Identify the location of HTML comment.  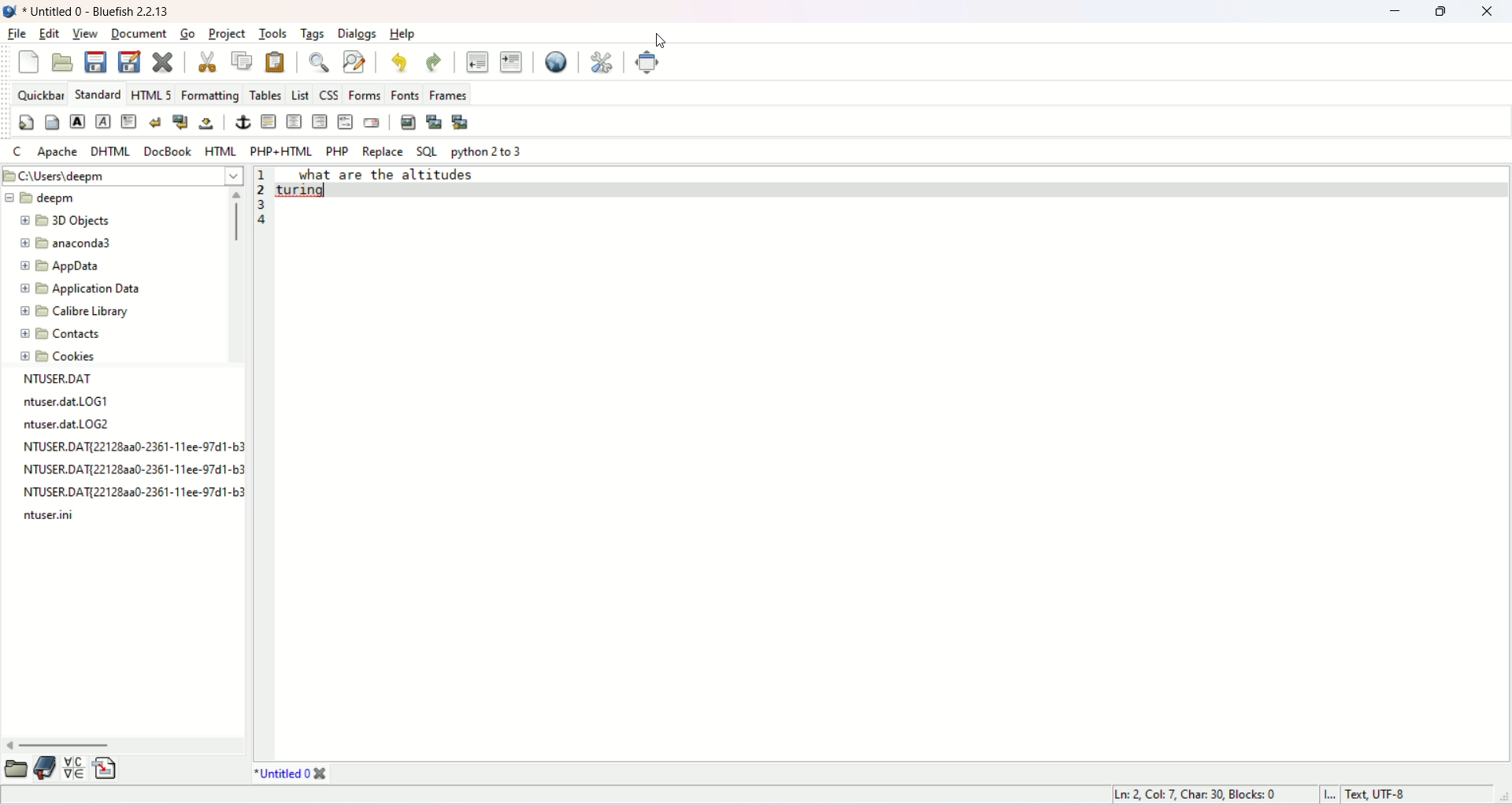
(346, 121).